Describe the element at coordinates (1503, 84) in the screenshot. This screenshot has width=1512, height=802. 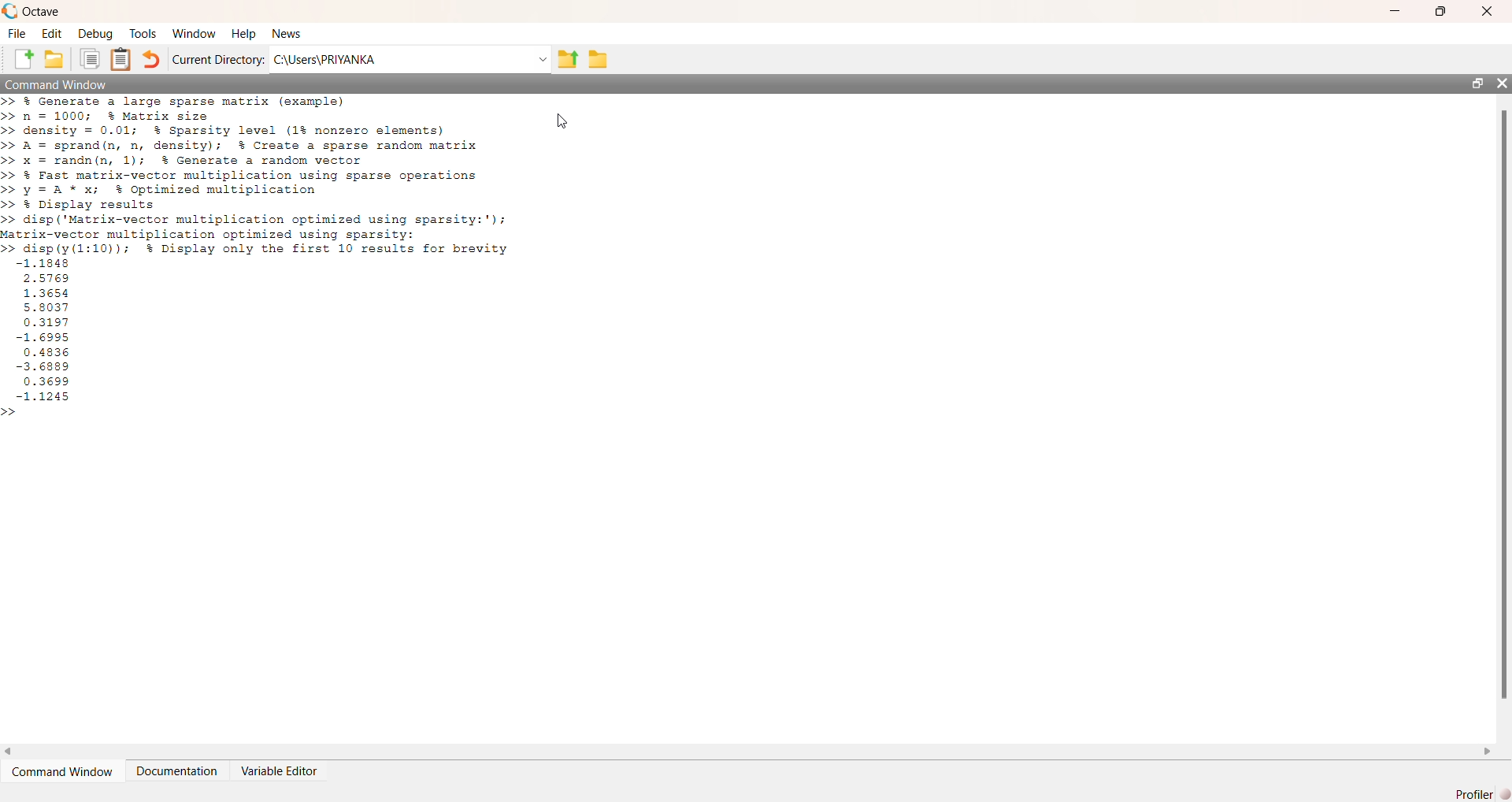
I see `close` at that location.